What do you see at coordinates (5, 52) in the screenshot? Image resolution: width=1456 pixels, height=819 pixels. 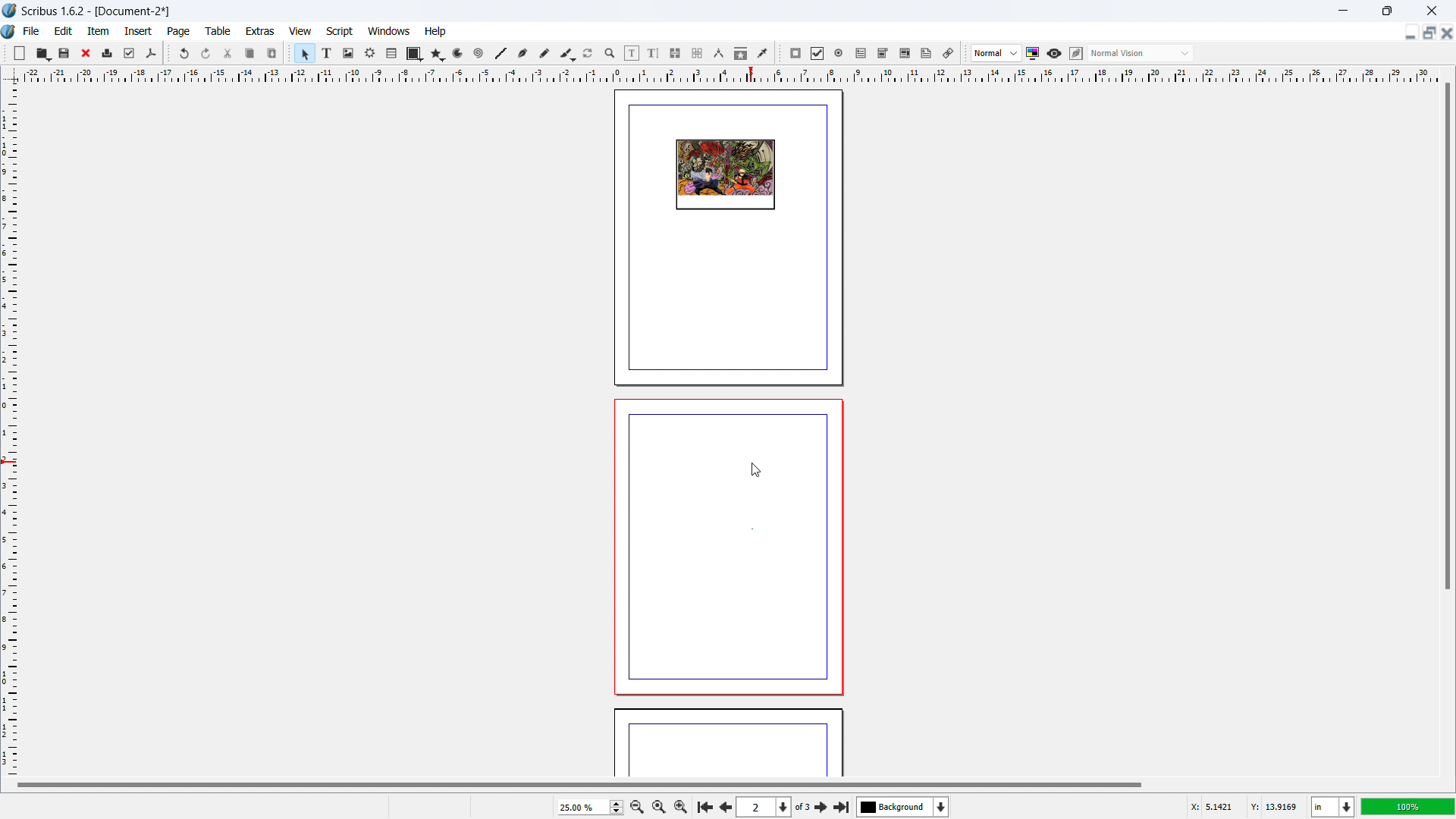 I see `move toolbox` at bounding box center [5, 52].